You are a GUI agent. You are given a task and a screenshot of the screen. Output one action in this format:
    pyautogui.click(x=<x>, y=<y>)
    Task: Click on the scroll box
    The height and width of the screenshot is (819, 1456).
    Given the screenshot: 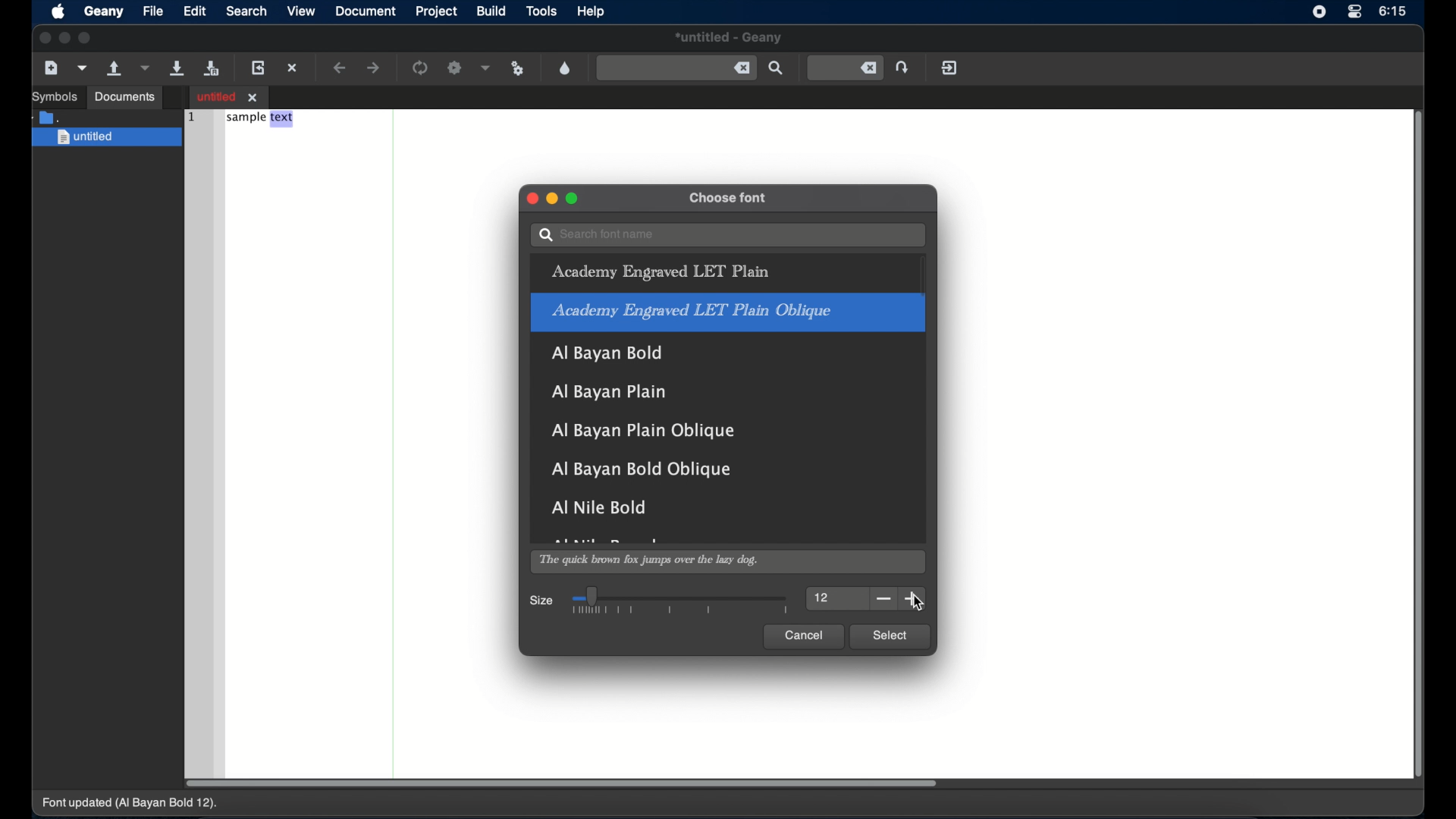 What is the action you would take?
    pyautogui.click(x=1420, y=447)
    